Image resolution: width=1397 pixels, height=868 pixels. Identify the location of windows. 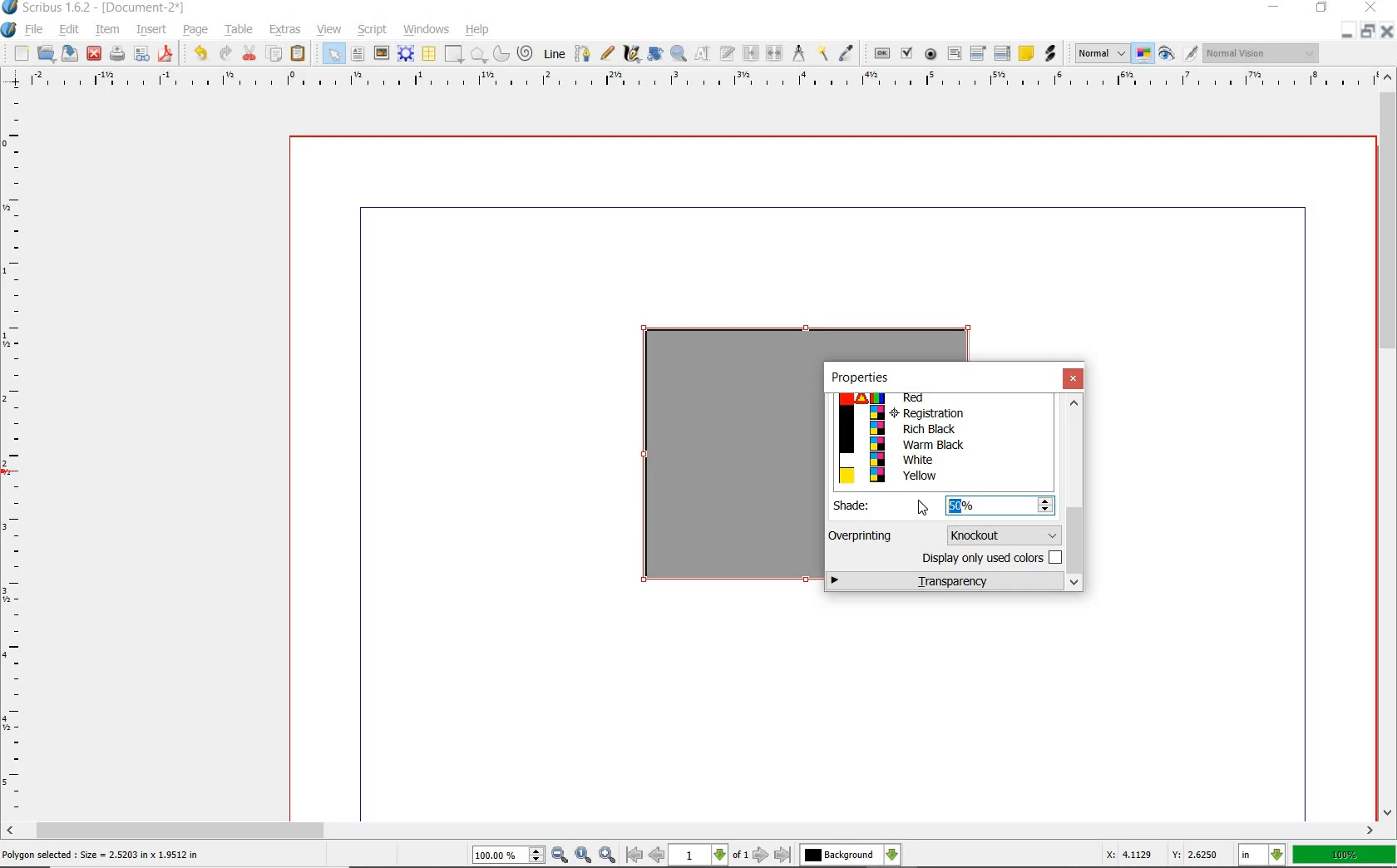
(423, 29).